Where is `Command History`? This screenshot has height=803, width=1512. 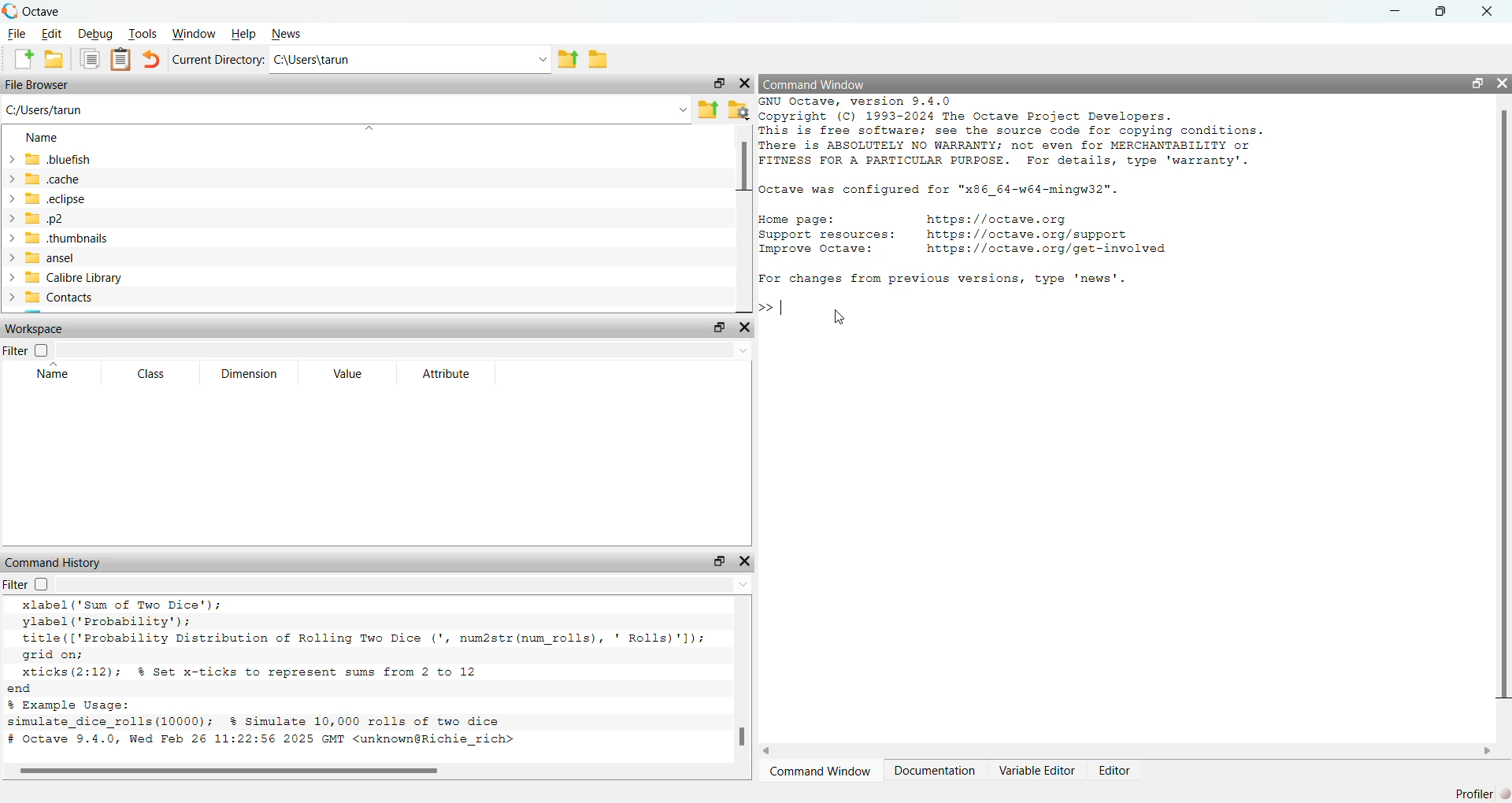 Command History is located at coordinates (54, 561).